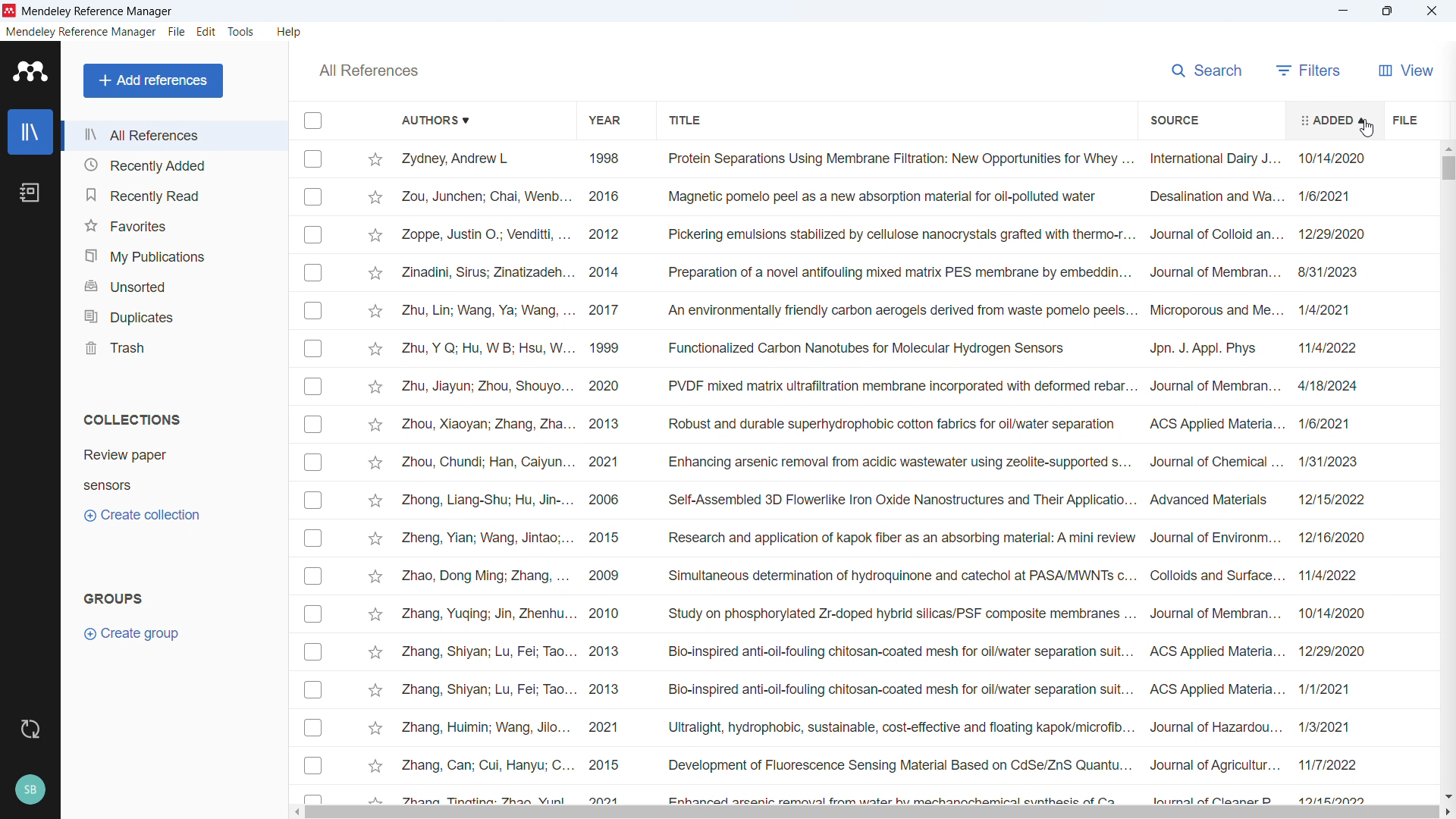 The width and height of the screenshot is (1456, 819). I want to click on File , so click(1407, 118).